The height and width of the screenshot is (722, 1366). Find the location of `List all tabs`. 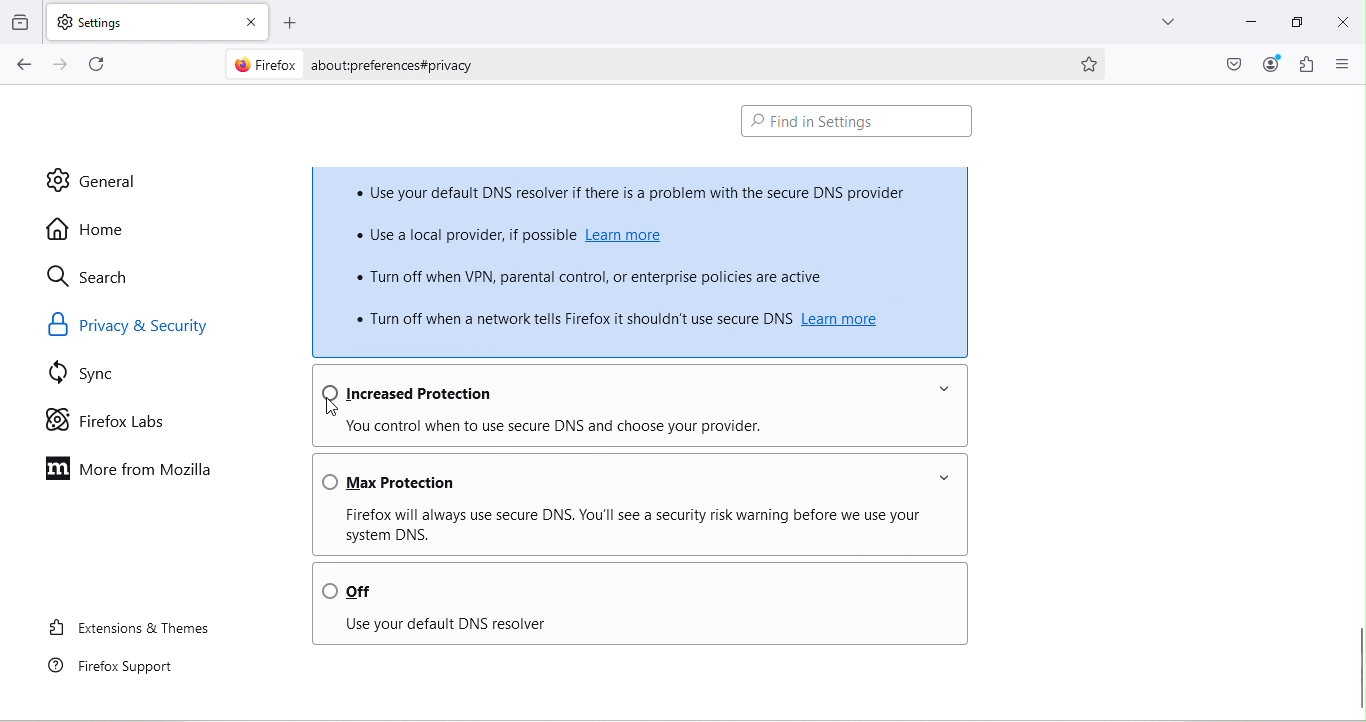

List all tabs is located at coordinates (1167, 25).